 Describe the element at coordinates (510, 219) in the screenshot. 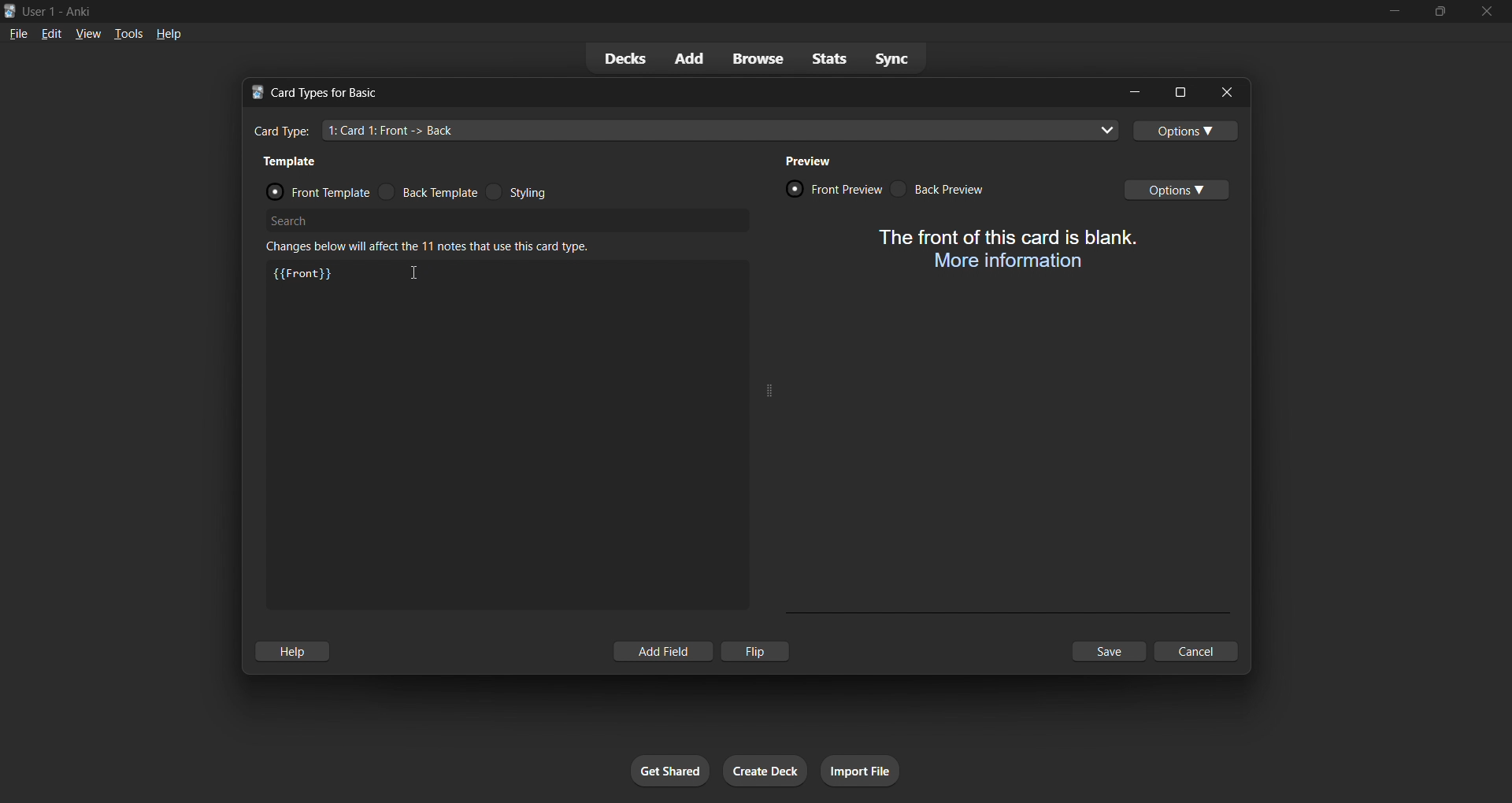

I see `search bar` at that location.